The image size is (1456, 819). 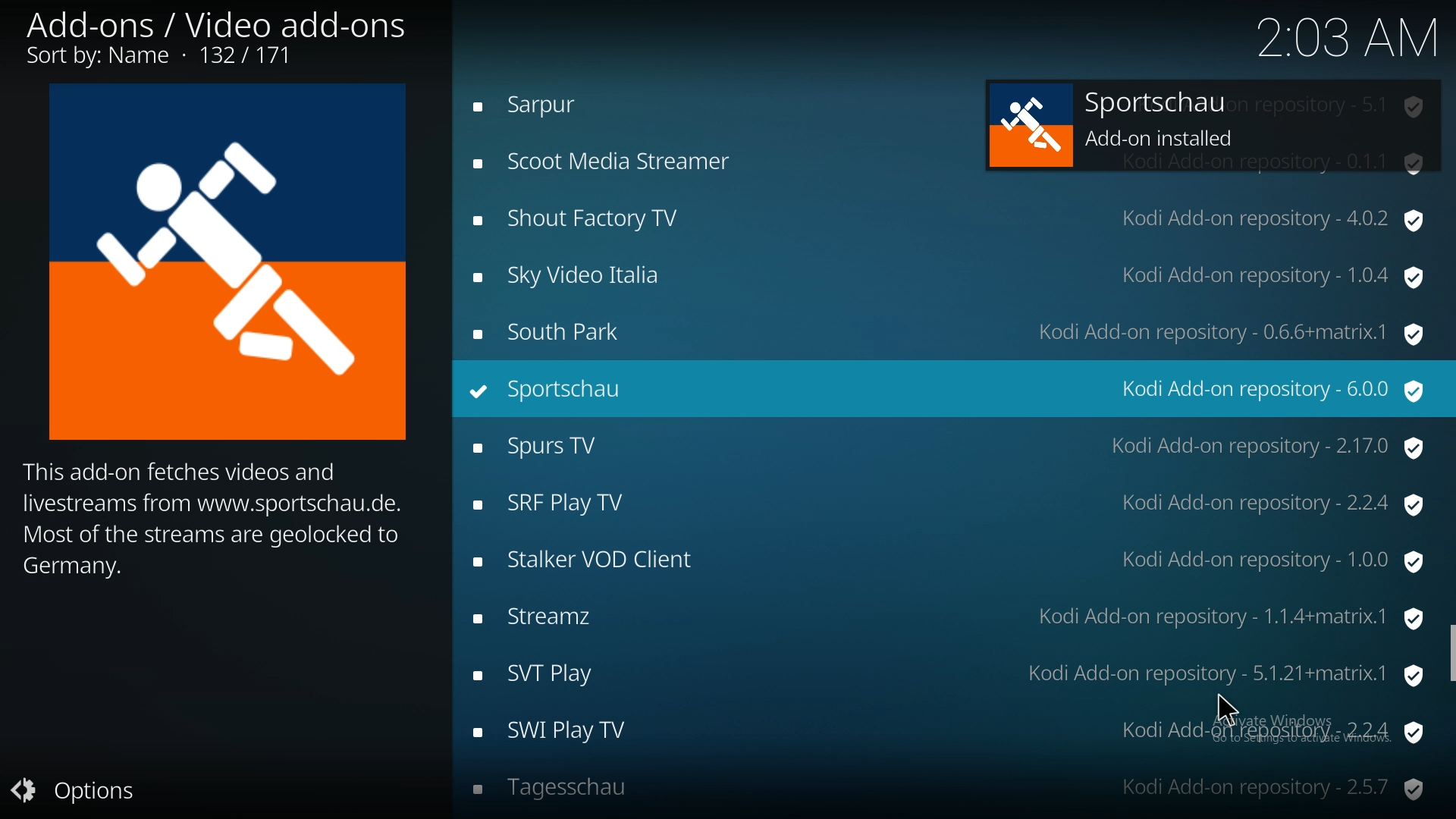 What do you see at coordinates (949, 220) in the screenshot?
I see `shout factory tv` at bounding box center [949, 220].